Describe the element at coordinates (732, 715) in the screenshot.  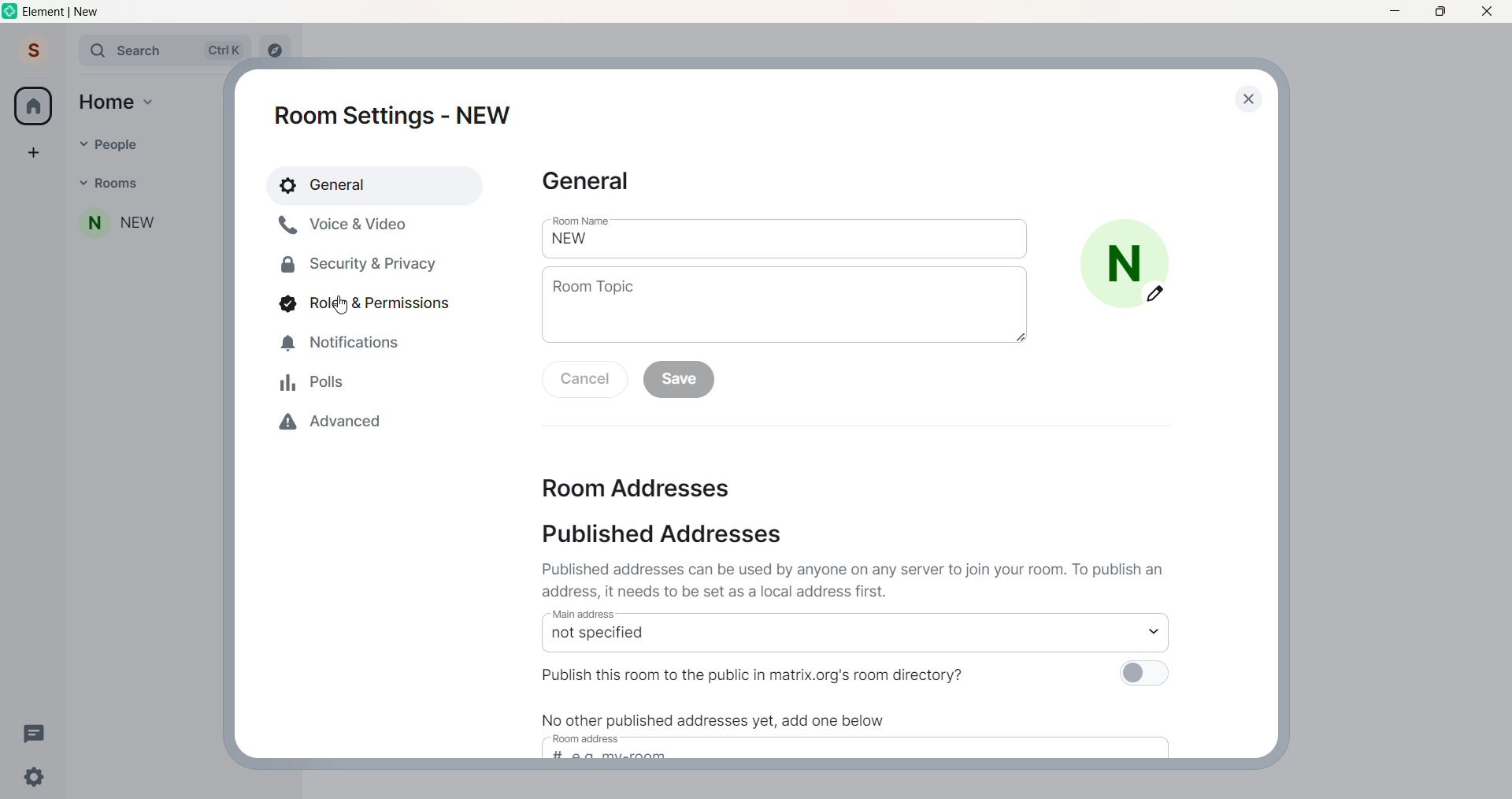
I see `text` at that location.